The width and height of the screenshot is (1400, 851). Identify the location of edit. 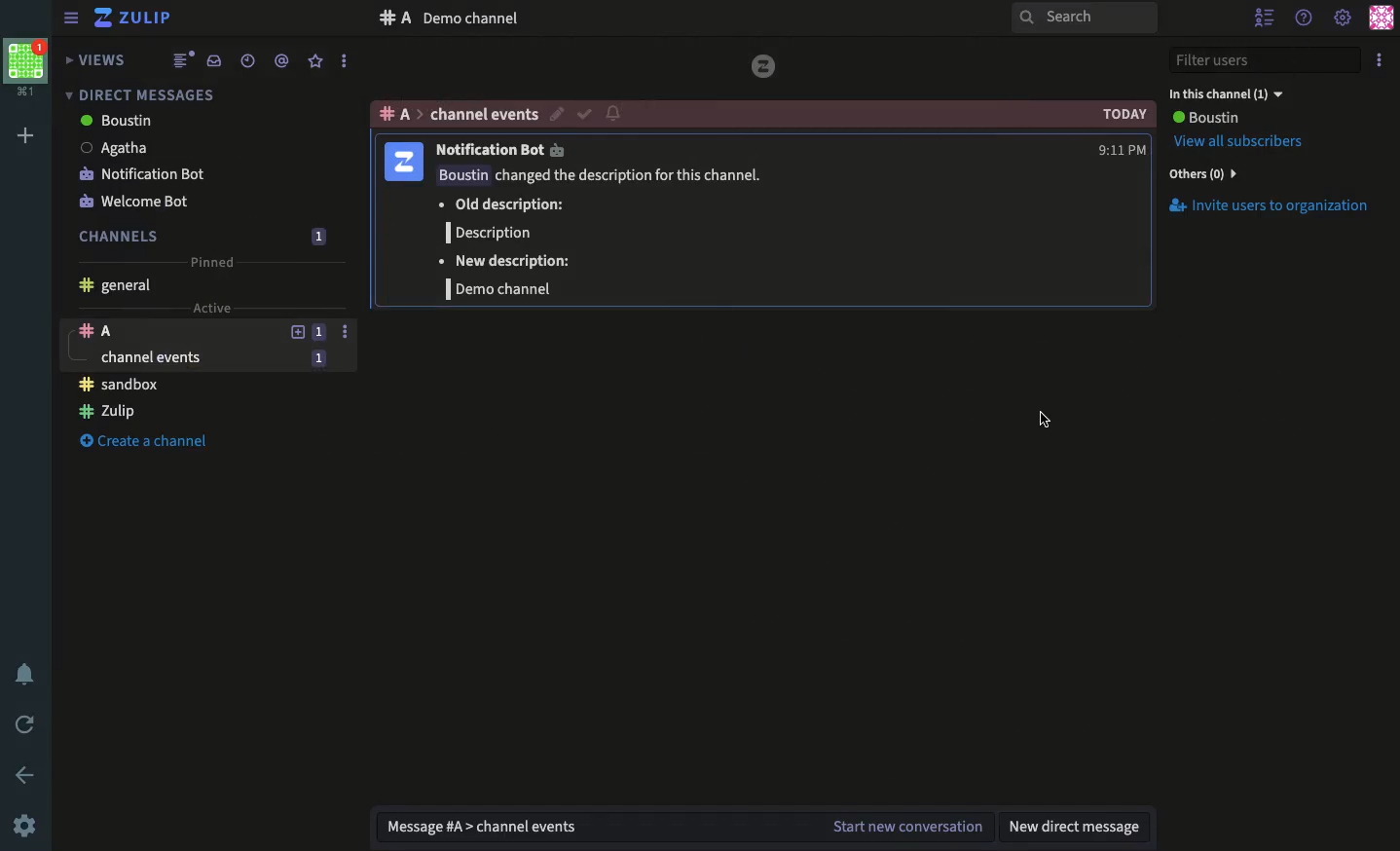
(555, 114).